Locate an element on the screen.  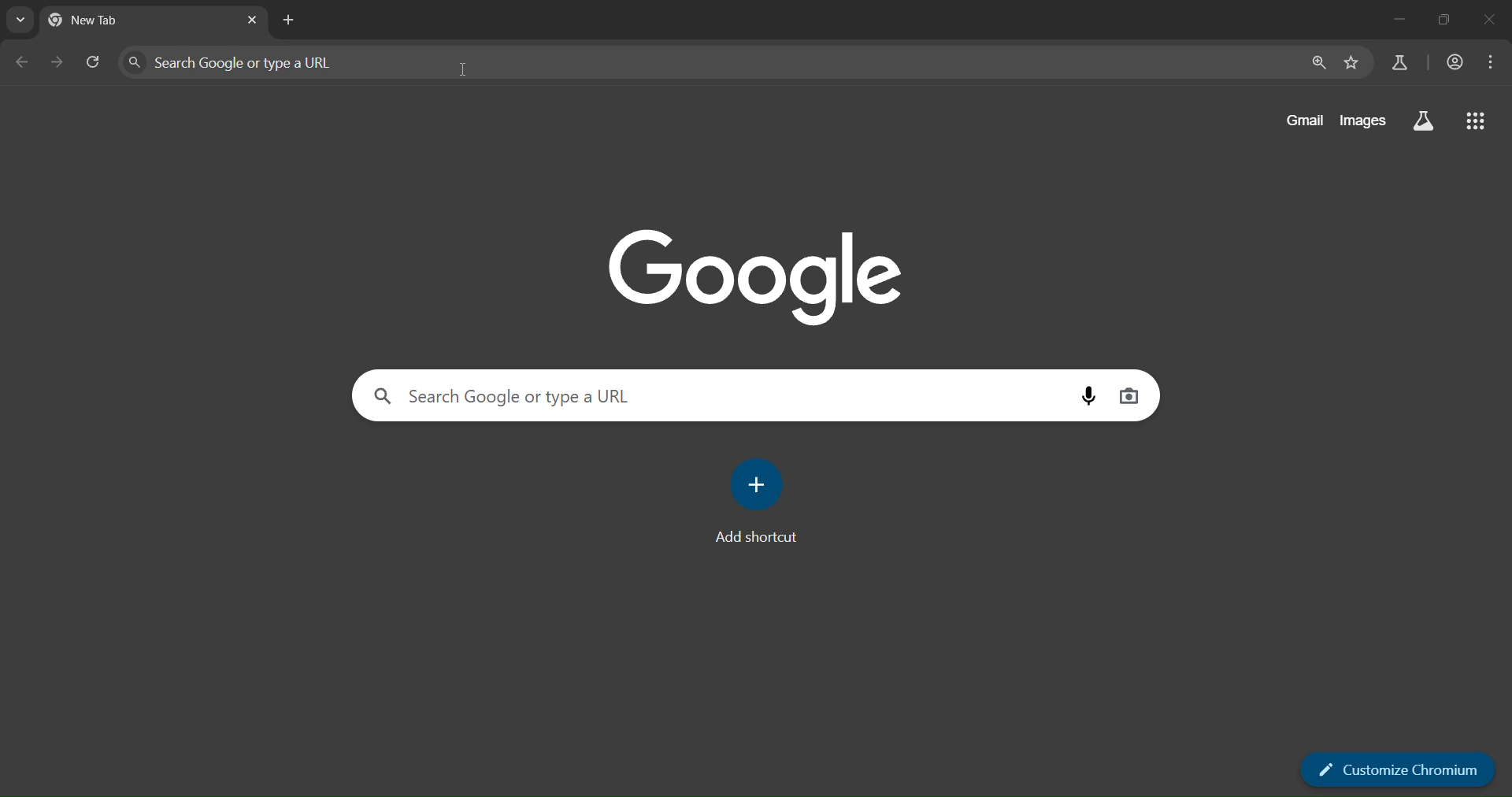
zoom is located at coordinates (1320, 63).